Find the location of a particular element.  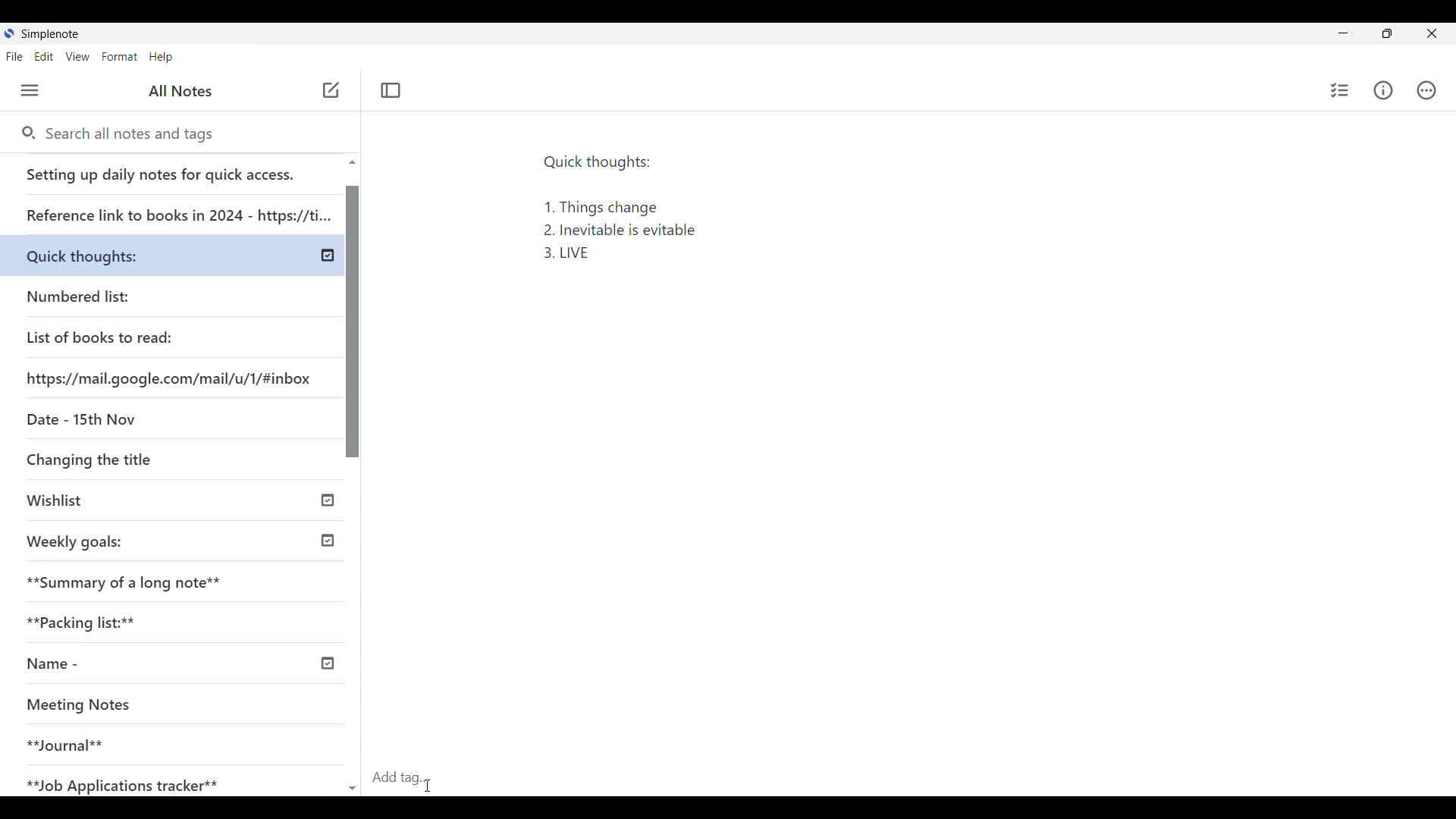

published is located at coordinates (328, 541).